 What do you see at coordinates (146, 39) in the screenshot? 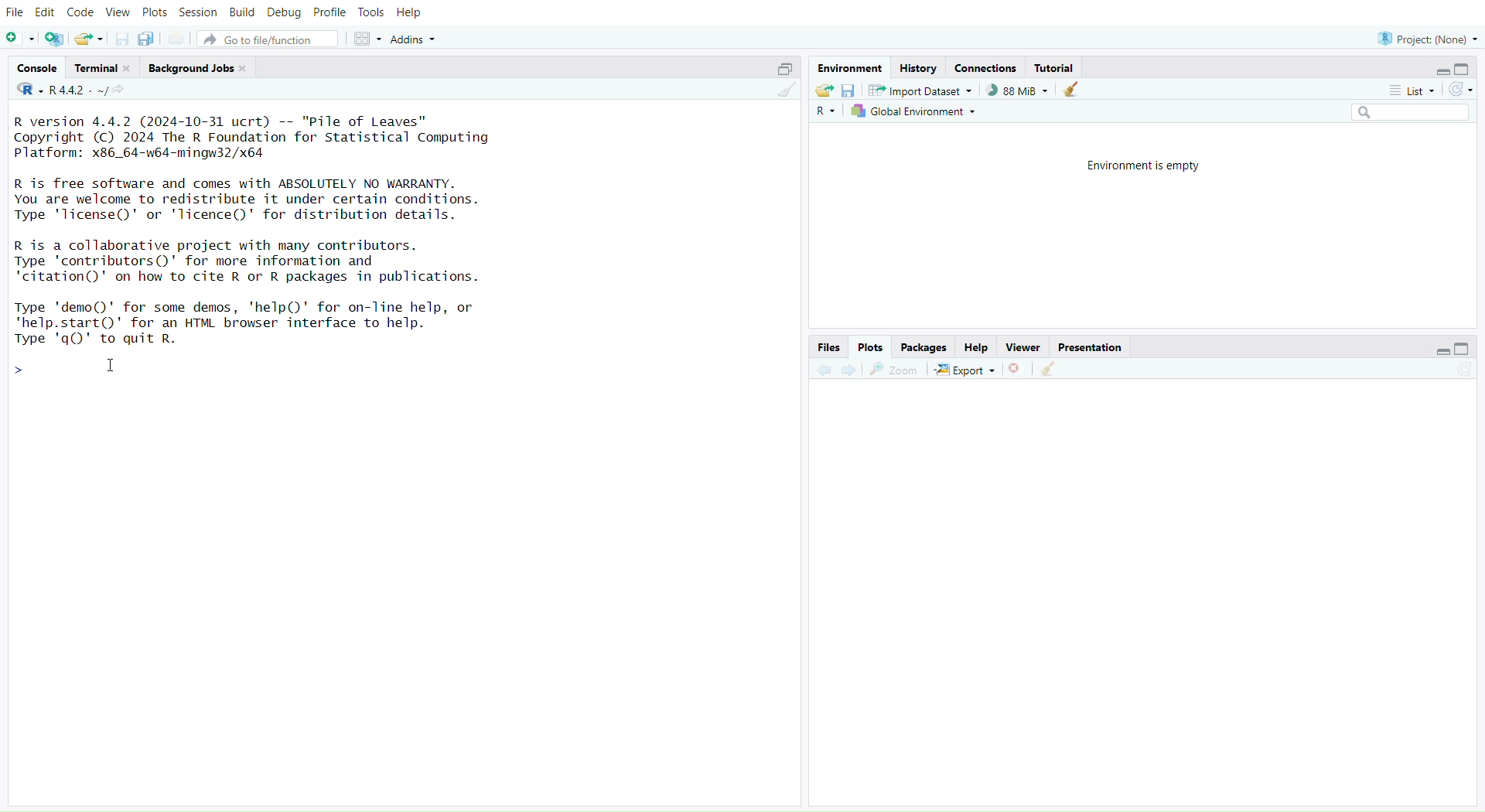
I see `save all open documents` at bounding box center [146, 39].